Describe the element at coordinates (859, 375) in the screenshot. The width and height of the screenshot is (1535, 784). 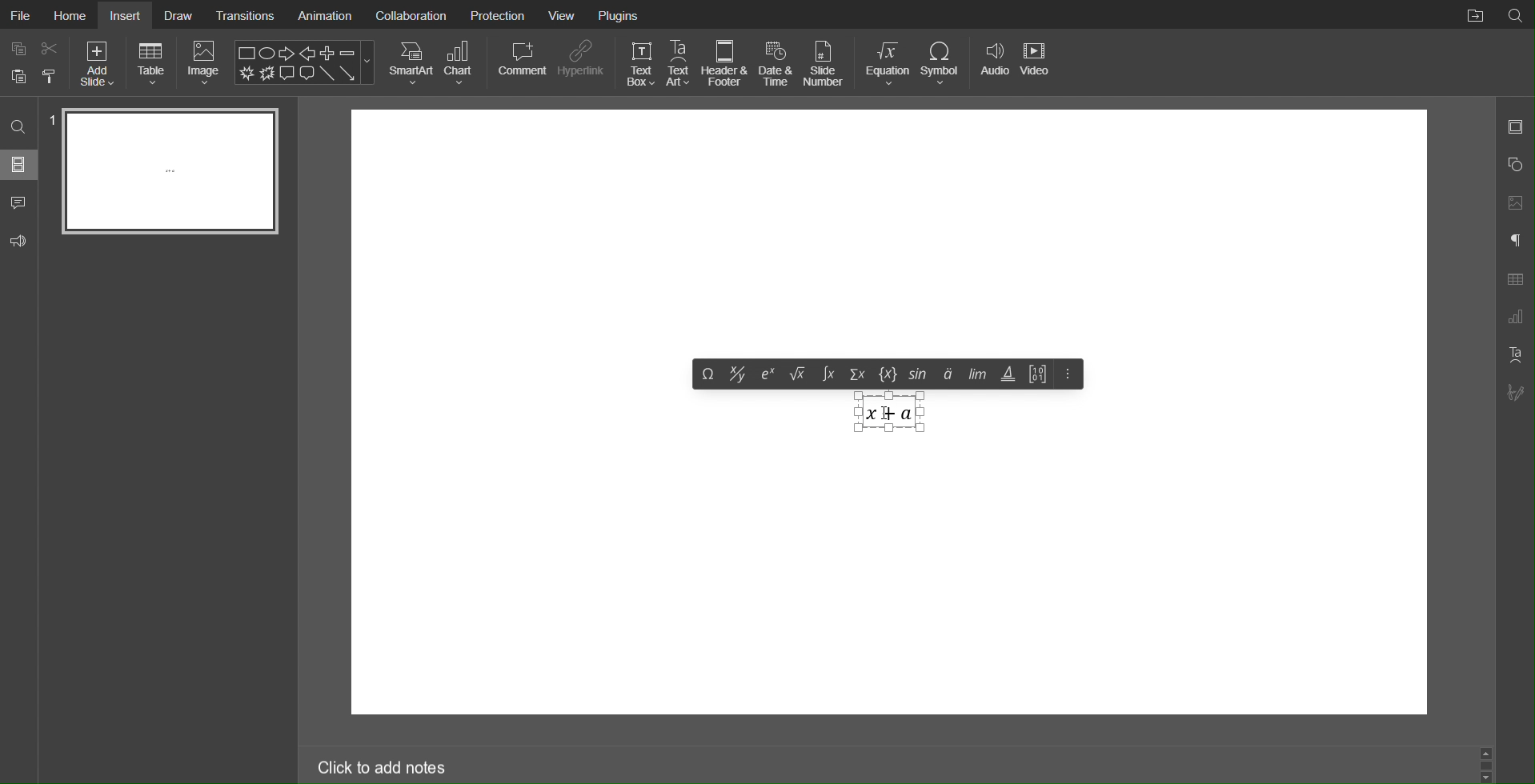
I see `Summation` at that location.